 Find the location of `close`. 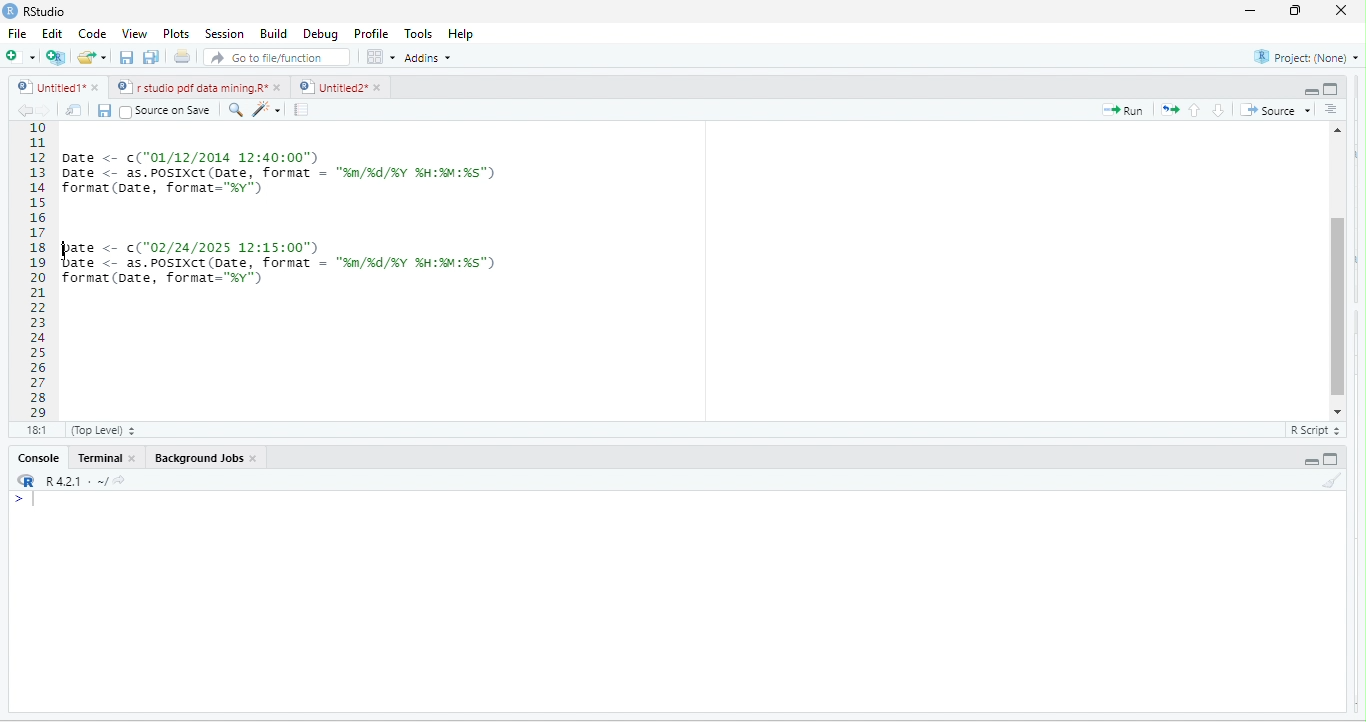

close is located at coordinates (1336, 10).